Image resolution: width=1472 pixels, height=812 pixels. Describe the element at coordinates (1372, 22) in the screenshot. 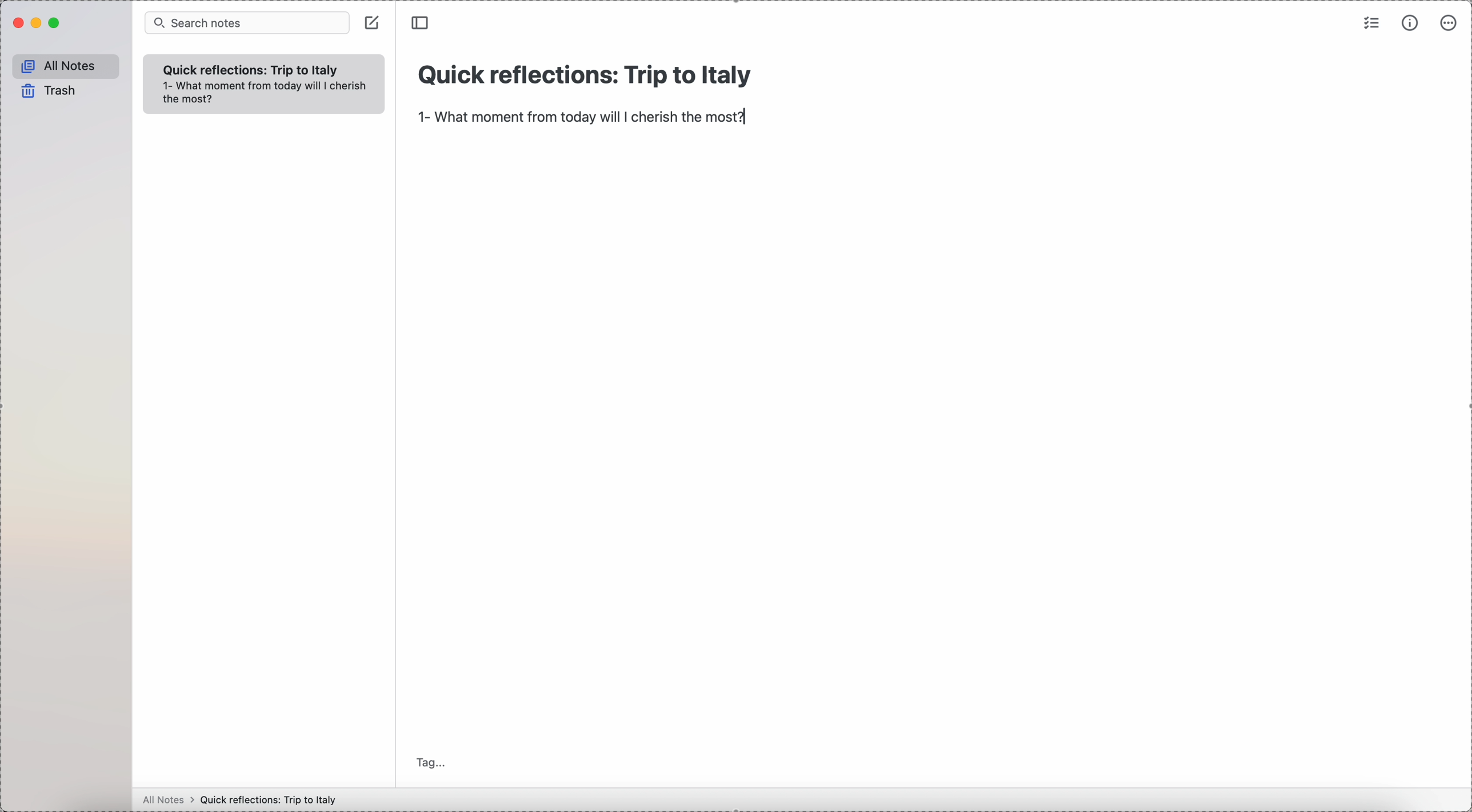

I see `check list` at that location.